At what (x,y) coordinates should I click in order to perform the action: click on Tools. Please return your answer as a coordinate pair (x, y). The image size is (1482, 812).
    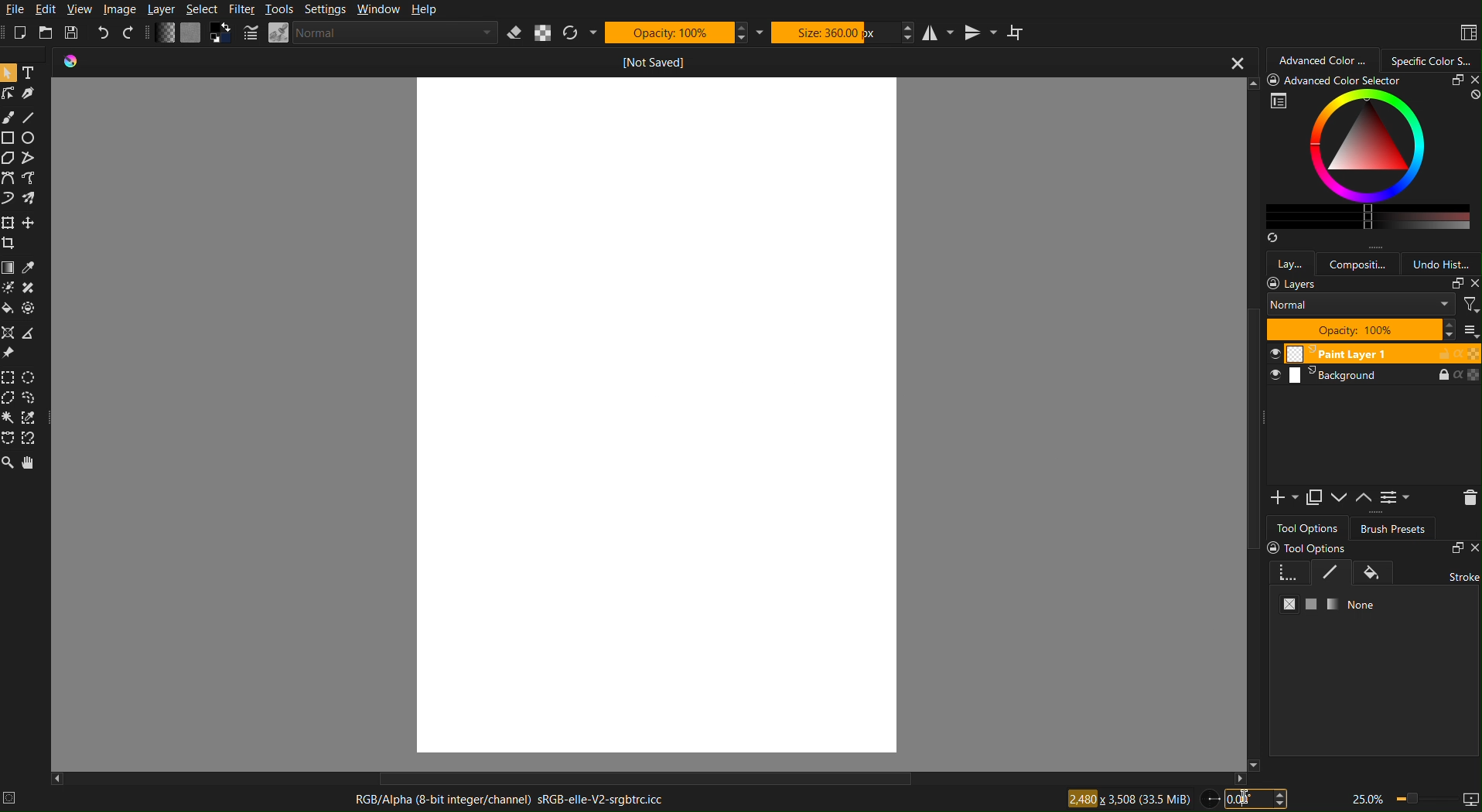
    Looking at the image, I should click on (279, 10).